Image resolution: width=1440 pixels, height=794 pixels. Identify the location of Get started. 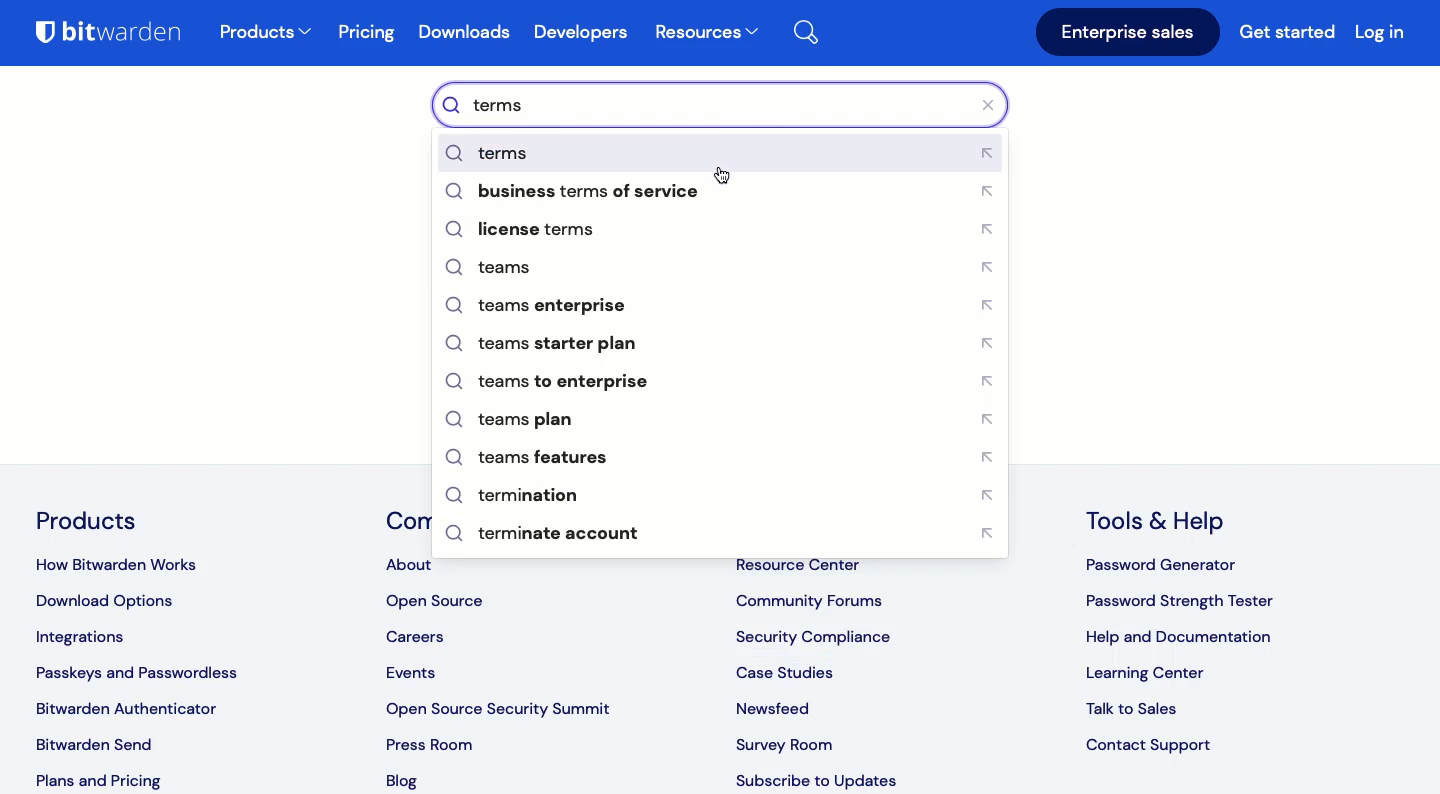
(1290, 35).